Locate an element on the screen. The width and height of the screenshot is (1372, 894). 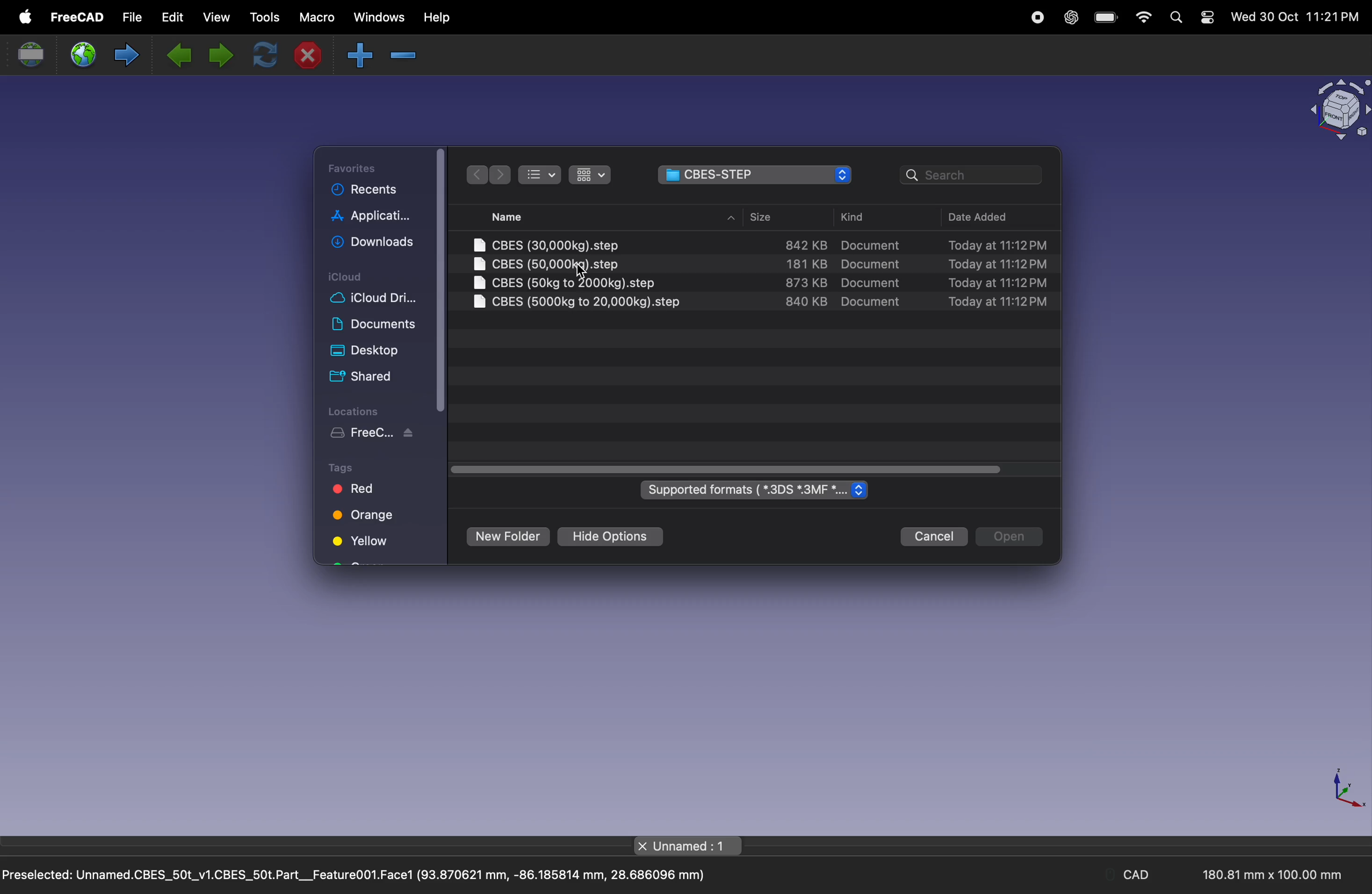
step file 2 is located at coordinates (758, 265).